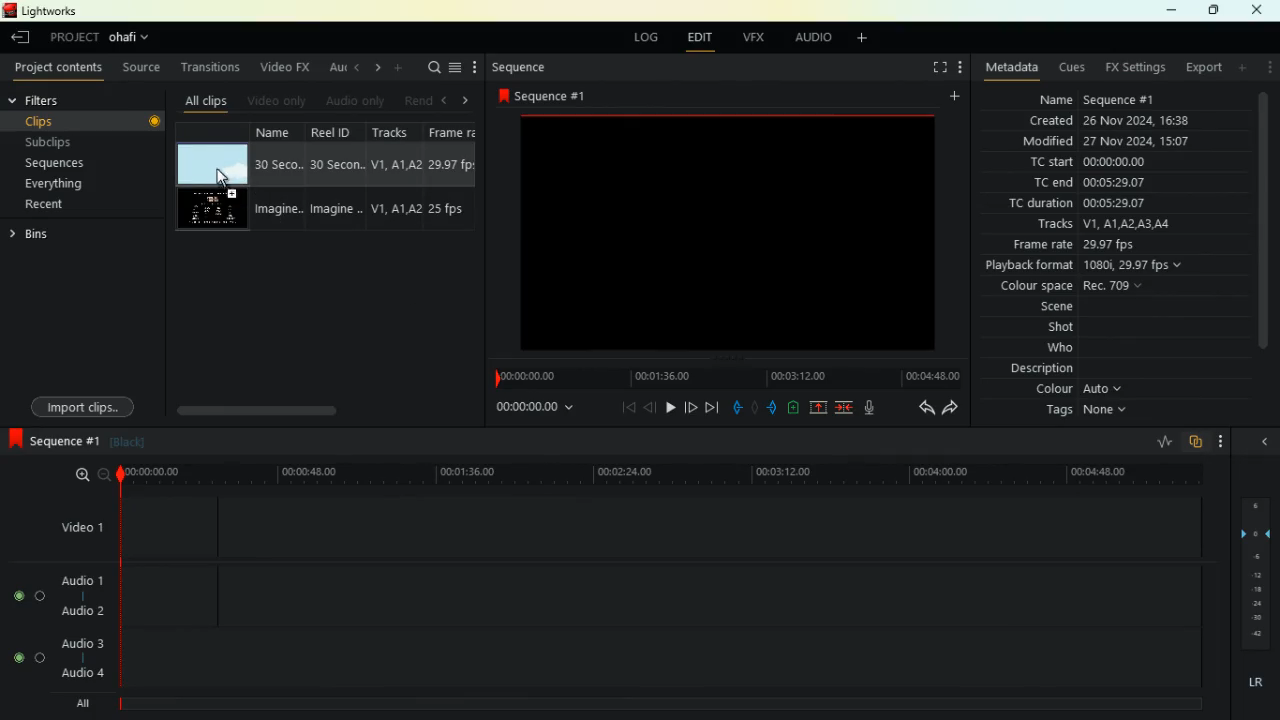 This screenshot has height=720, width=1280. Describe the element at coordinates (619, 408) in the screenshot. I see `beggining` at that location.